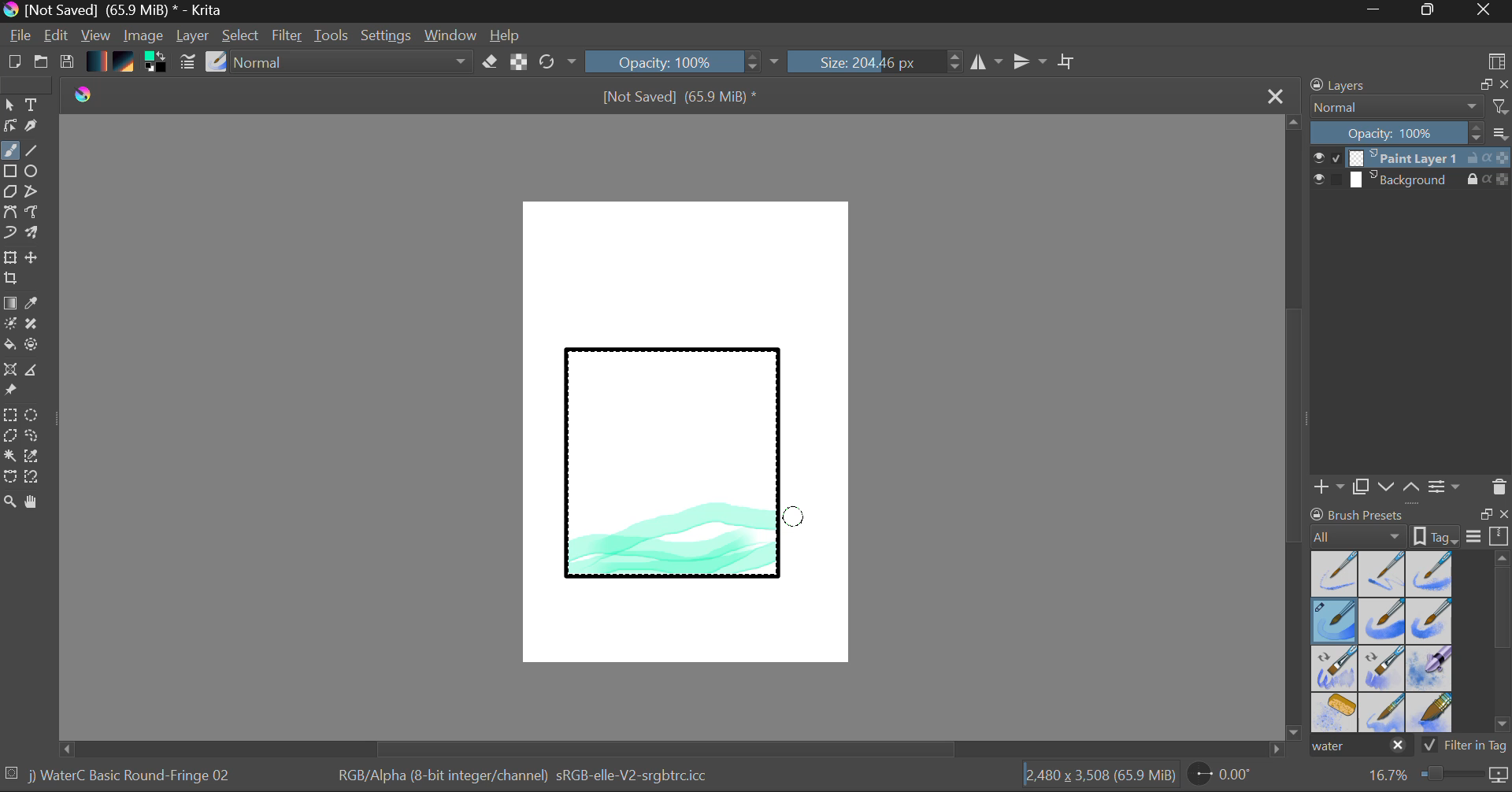 The height and width of the screenshot is (792, 1512). Describe the element at coordinates (1412, 486) in the screenshot. I see `Move Layer Up` at that location.